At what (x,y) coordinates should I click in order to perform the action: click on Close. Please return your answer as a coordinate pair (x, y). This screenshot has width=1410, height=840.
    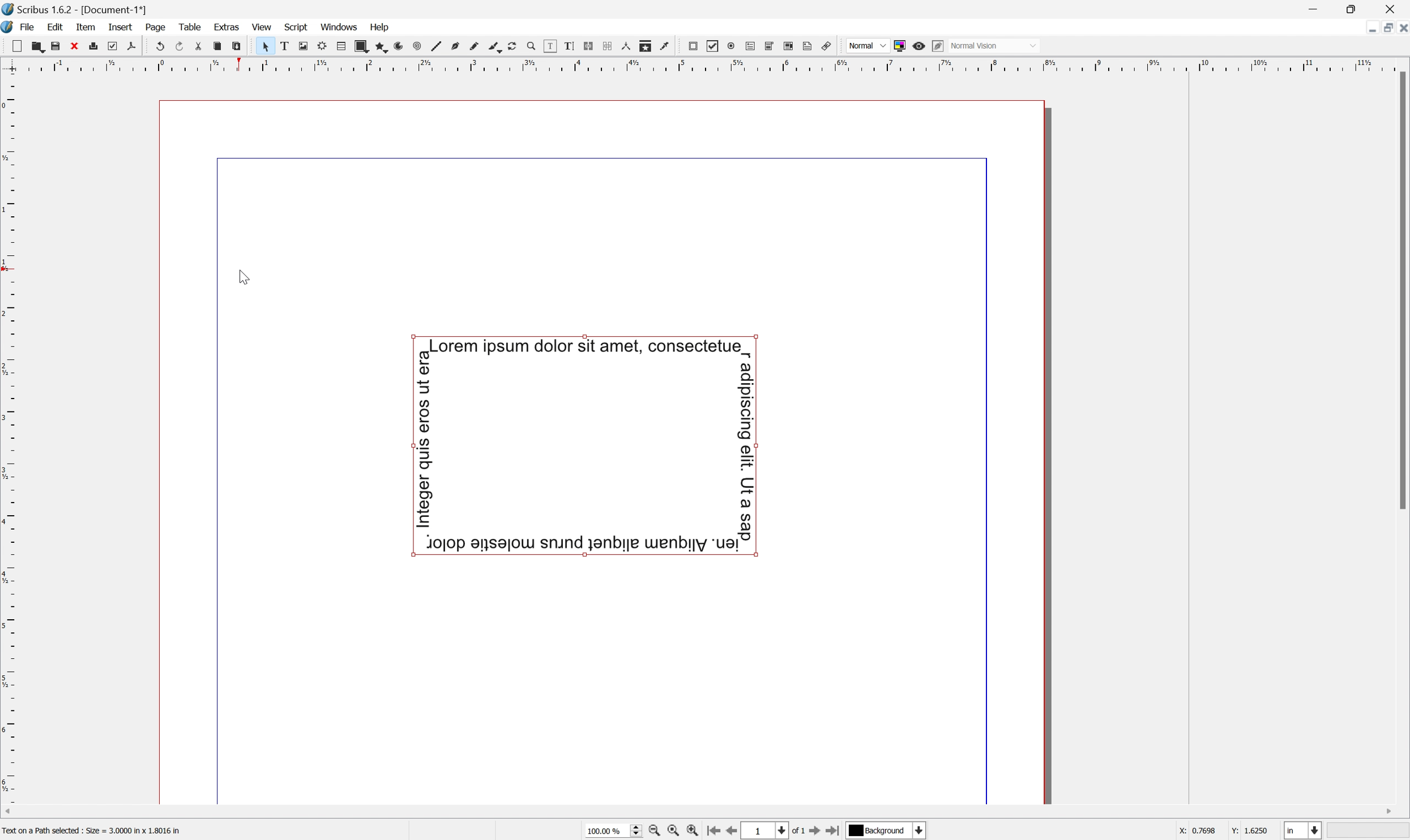
    Looking at the image, I should click on (1392, 8).